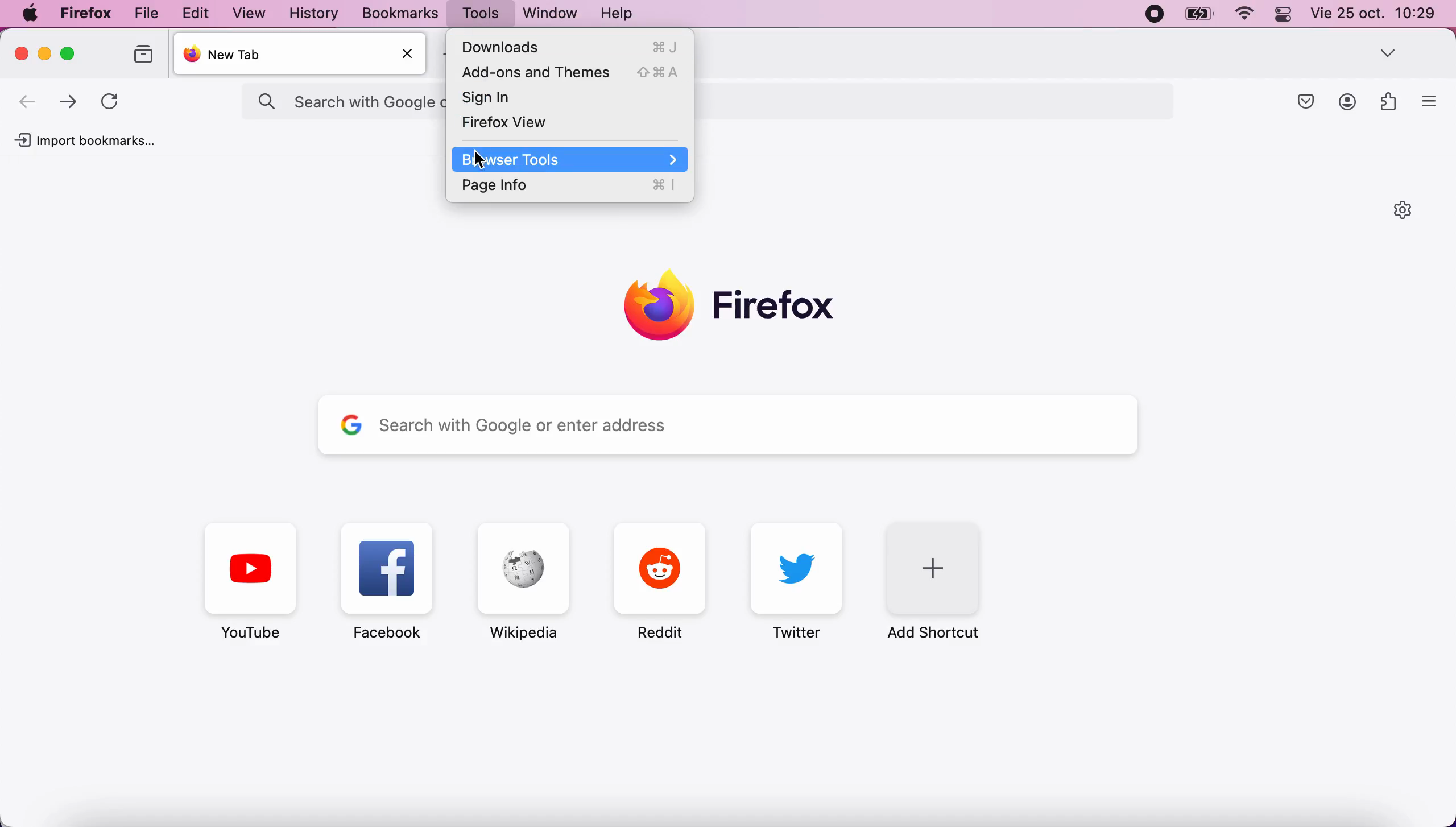  I want to click on File, so click(146, 14).